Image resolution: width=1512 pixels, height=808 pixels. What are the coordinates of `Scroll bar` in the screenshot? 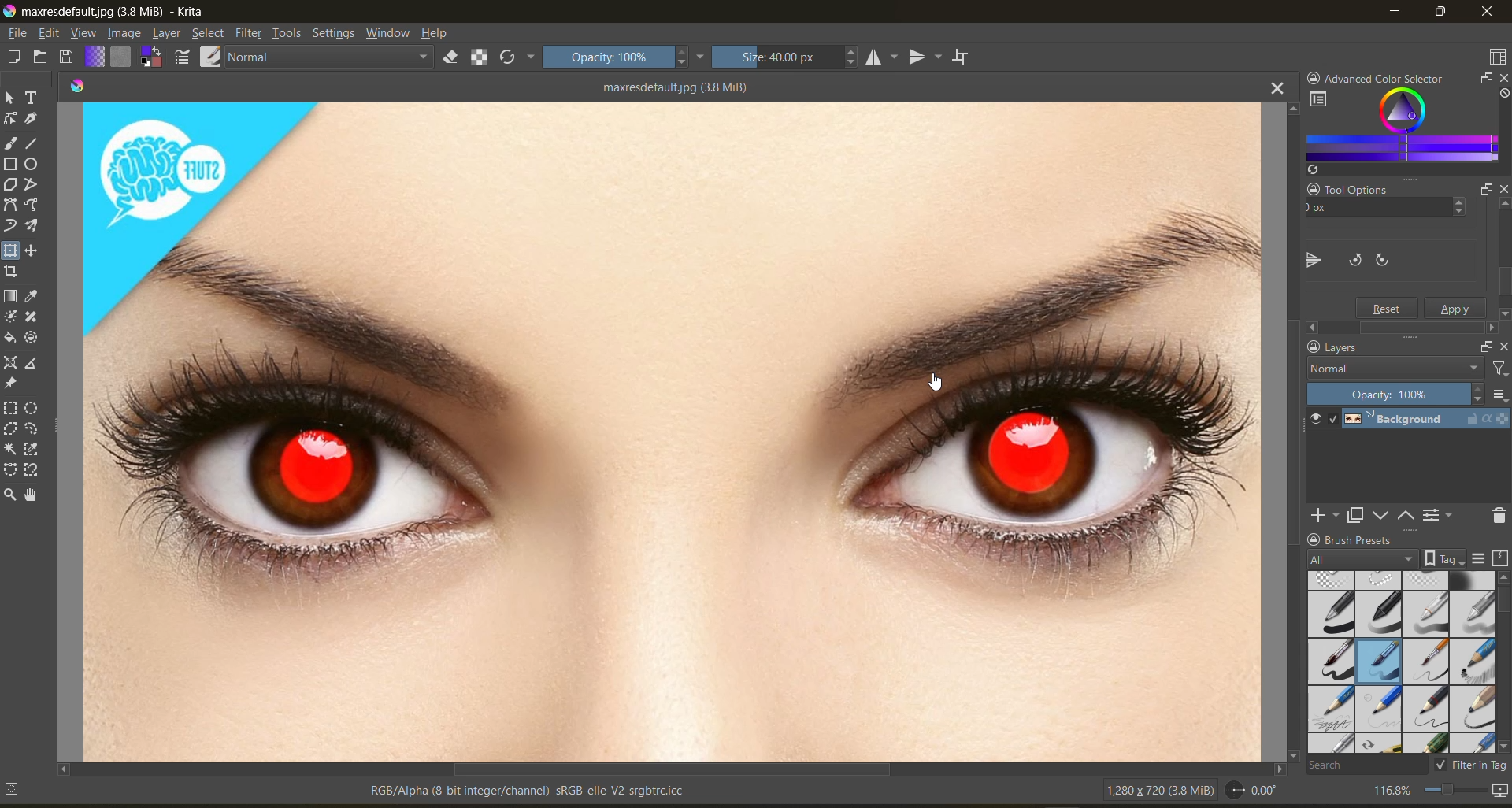 It's located at (1506, 263).